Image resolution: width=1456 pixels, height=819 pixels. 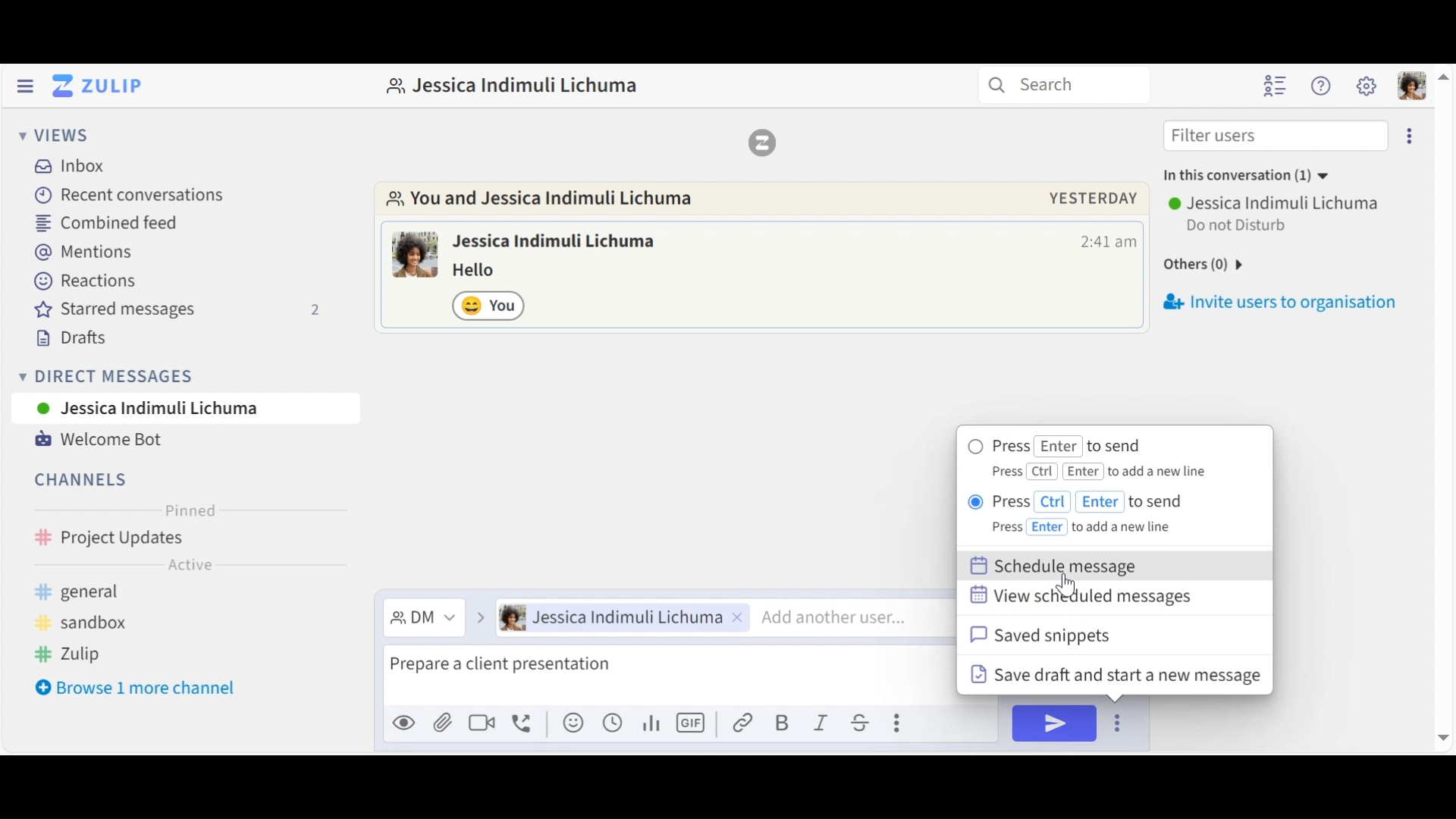 I want to click on Messages, so click(x=485, y=271).